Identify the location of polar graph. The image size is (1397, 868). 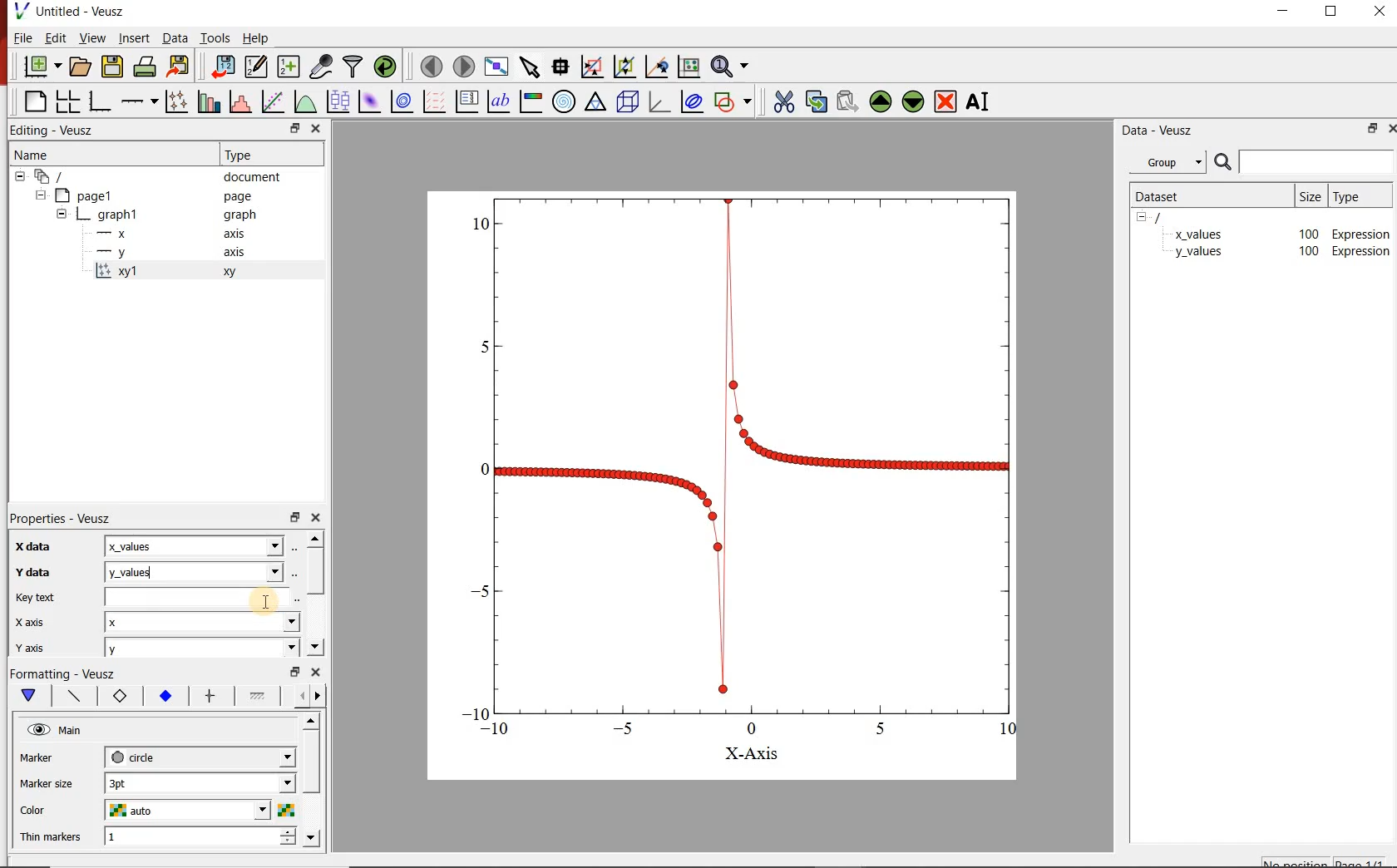
(565, 103).